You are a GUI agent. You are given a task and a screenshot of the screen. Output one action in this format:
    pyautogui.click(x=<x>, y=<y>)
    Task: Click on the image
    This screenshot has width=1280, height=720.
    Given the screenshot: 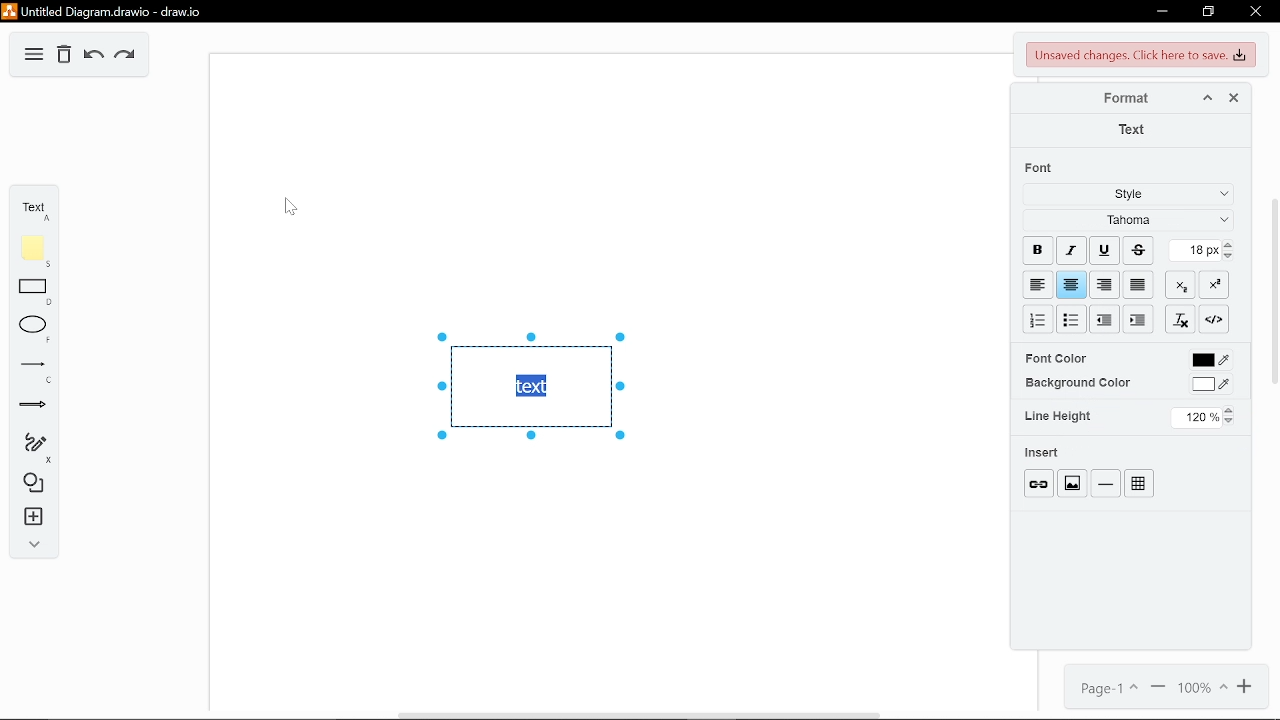 What is the action you would take?
    pyautogui.click(x=1072, y=481)
    